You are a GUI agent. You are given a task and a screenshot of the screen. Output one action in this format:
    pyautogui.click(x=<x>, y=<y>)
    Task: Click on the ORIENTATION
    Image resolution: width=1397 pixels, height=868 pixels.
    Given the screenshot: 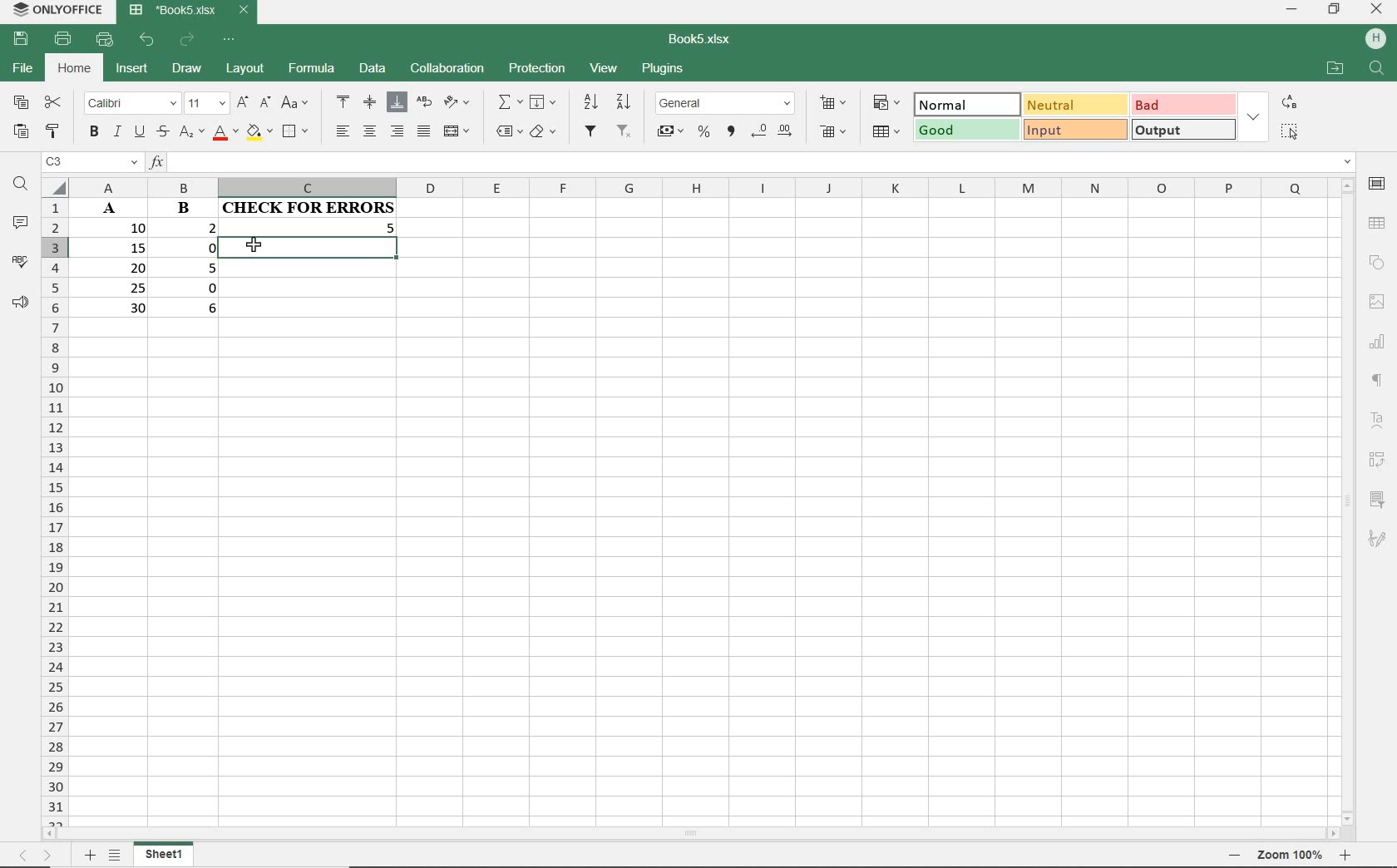 What is the action you would take?
    pyautogui.click(x=457, y=103)
    